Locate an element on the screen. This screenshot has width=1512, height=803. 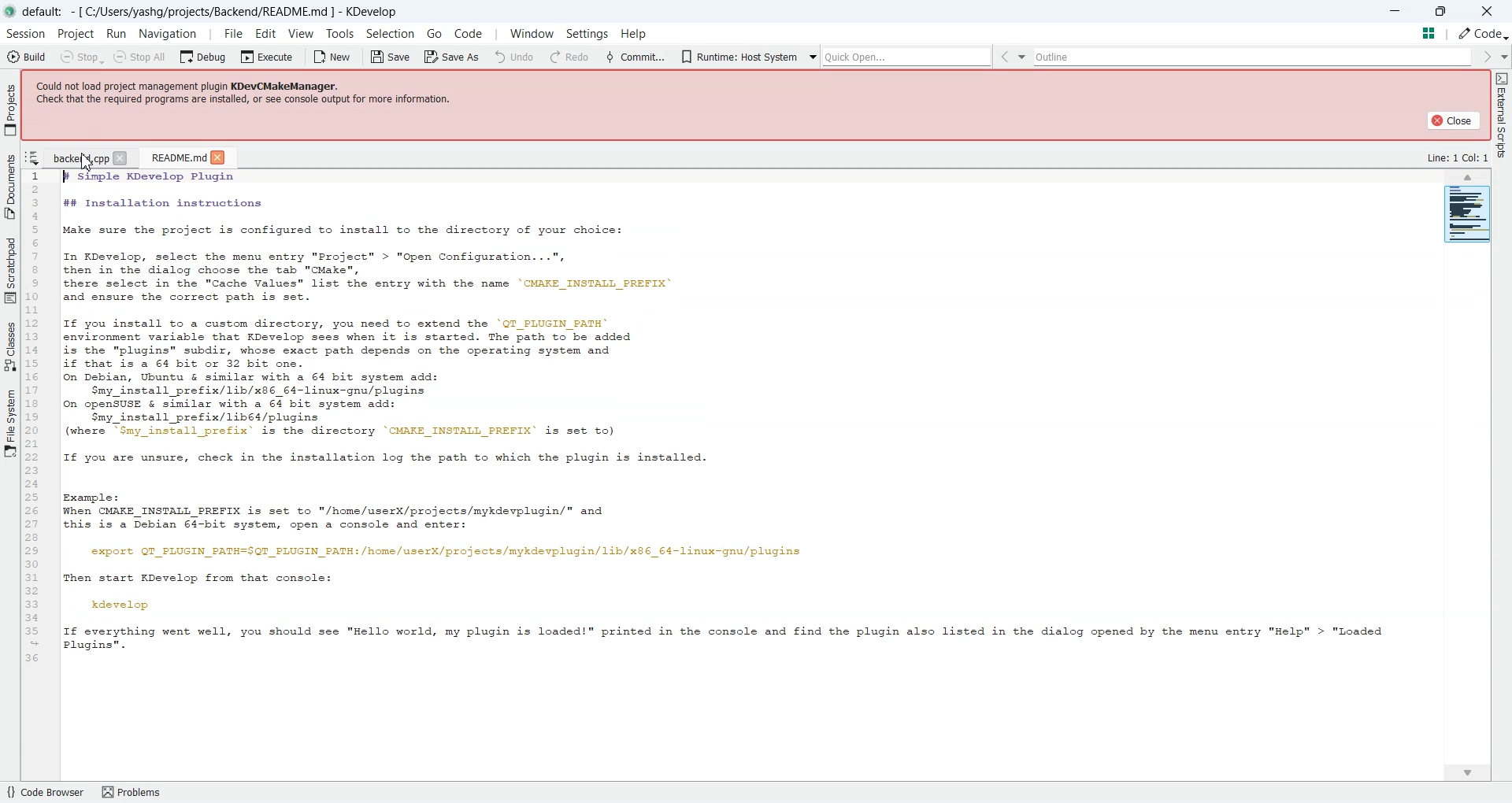
View is located at coordinates (302, 33).